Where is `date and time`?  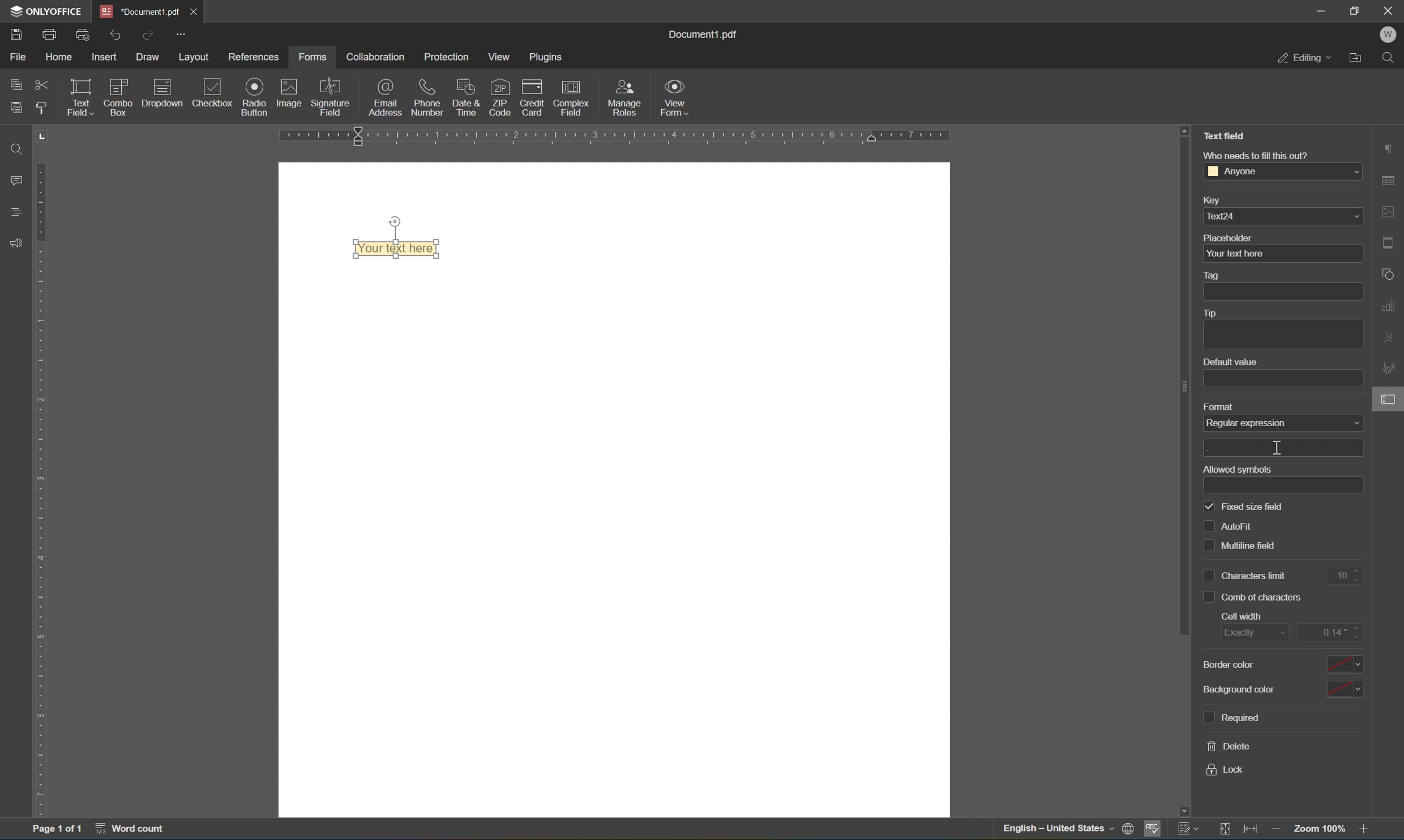 date and time is located at coordinates (466, 96).